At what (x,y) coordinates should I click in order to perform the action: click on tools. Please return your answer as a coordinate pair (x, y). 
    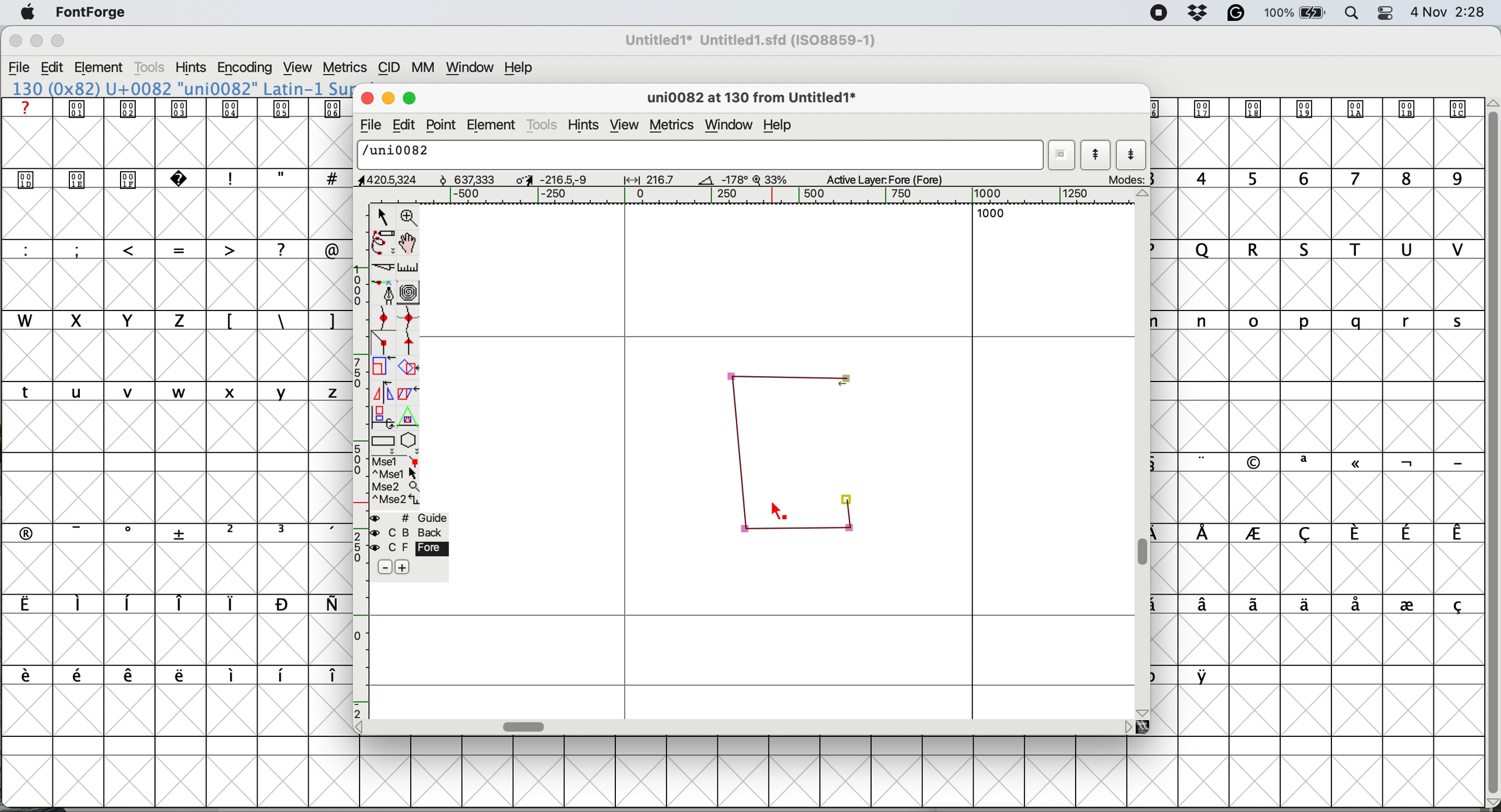
    Looking at the image, I should click on (152, 68).